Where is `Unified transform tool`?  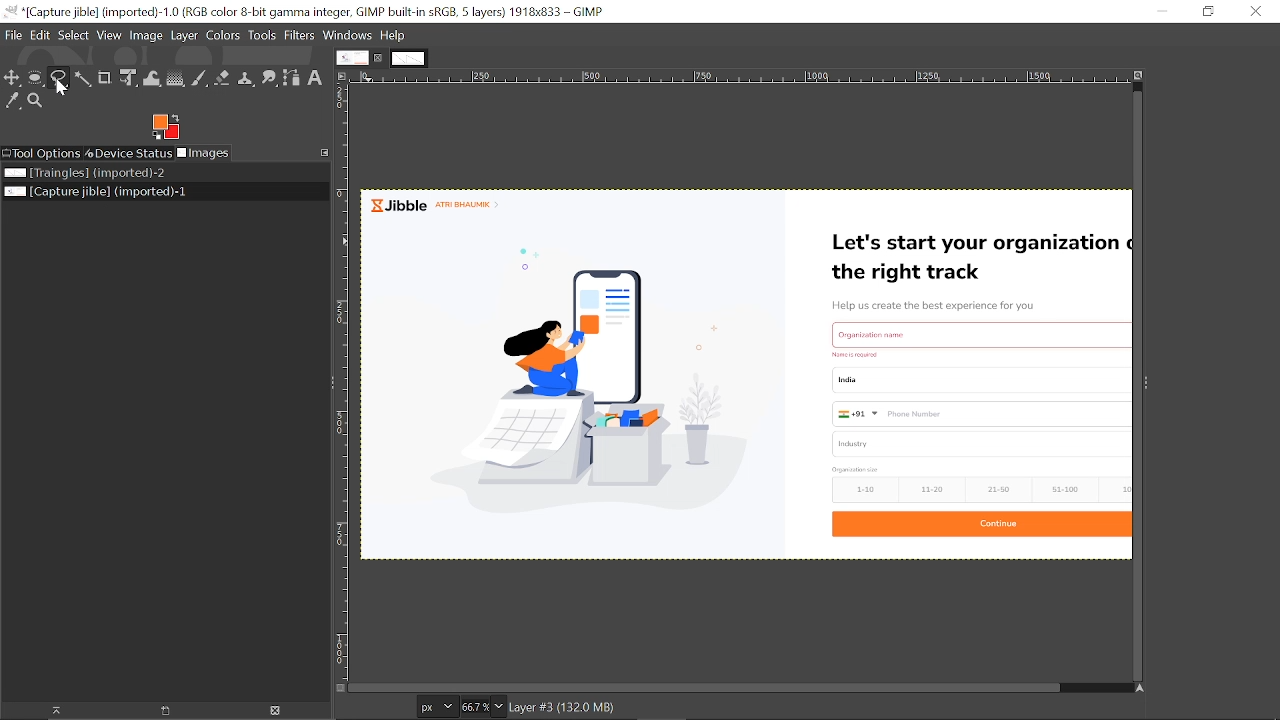 Unified transform tool is located at coordinates (130, 78).